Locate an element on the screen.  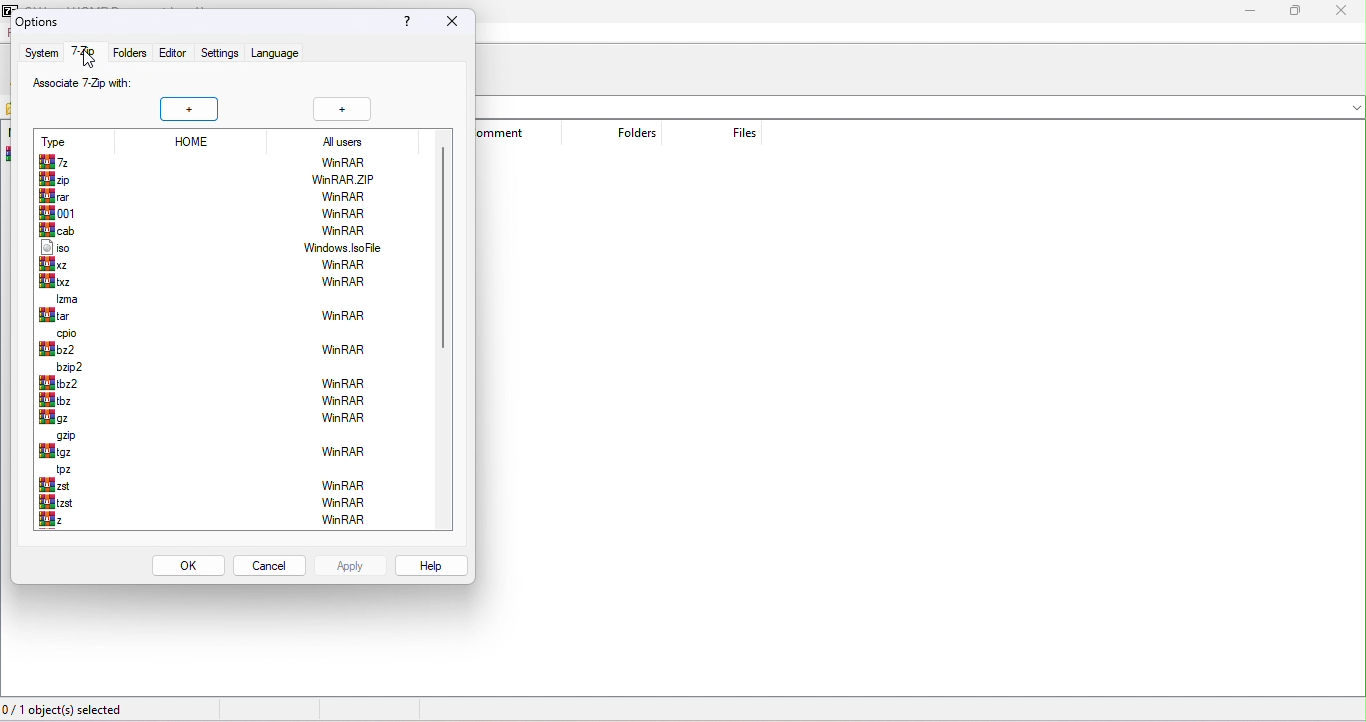
winrar is located at coordinates (358, 520).